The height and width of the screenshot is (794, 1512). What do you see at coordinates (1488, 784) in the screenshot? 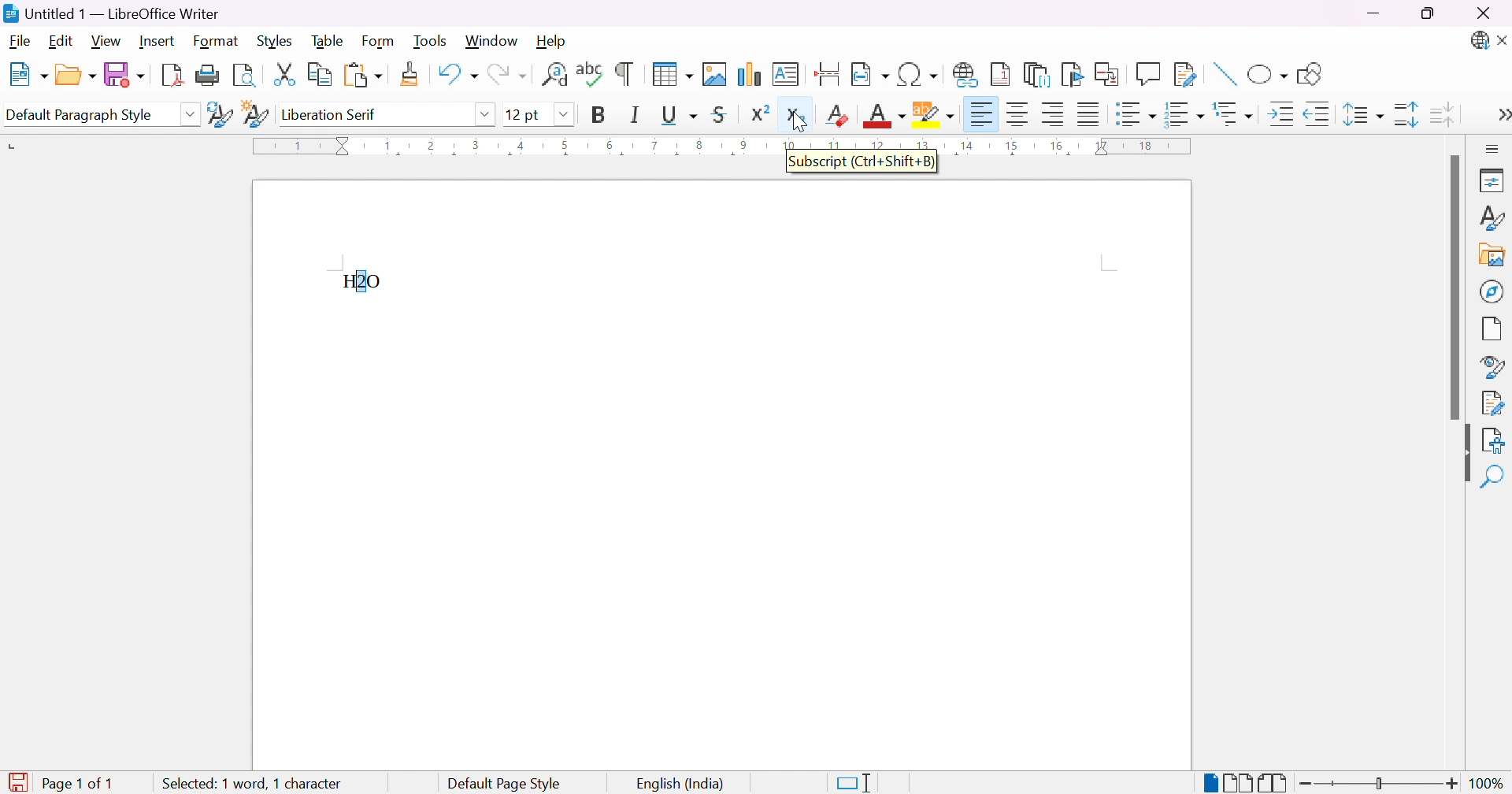
I see `100%` at bounding box center [1488, 784].